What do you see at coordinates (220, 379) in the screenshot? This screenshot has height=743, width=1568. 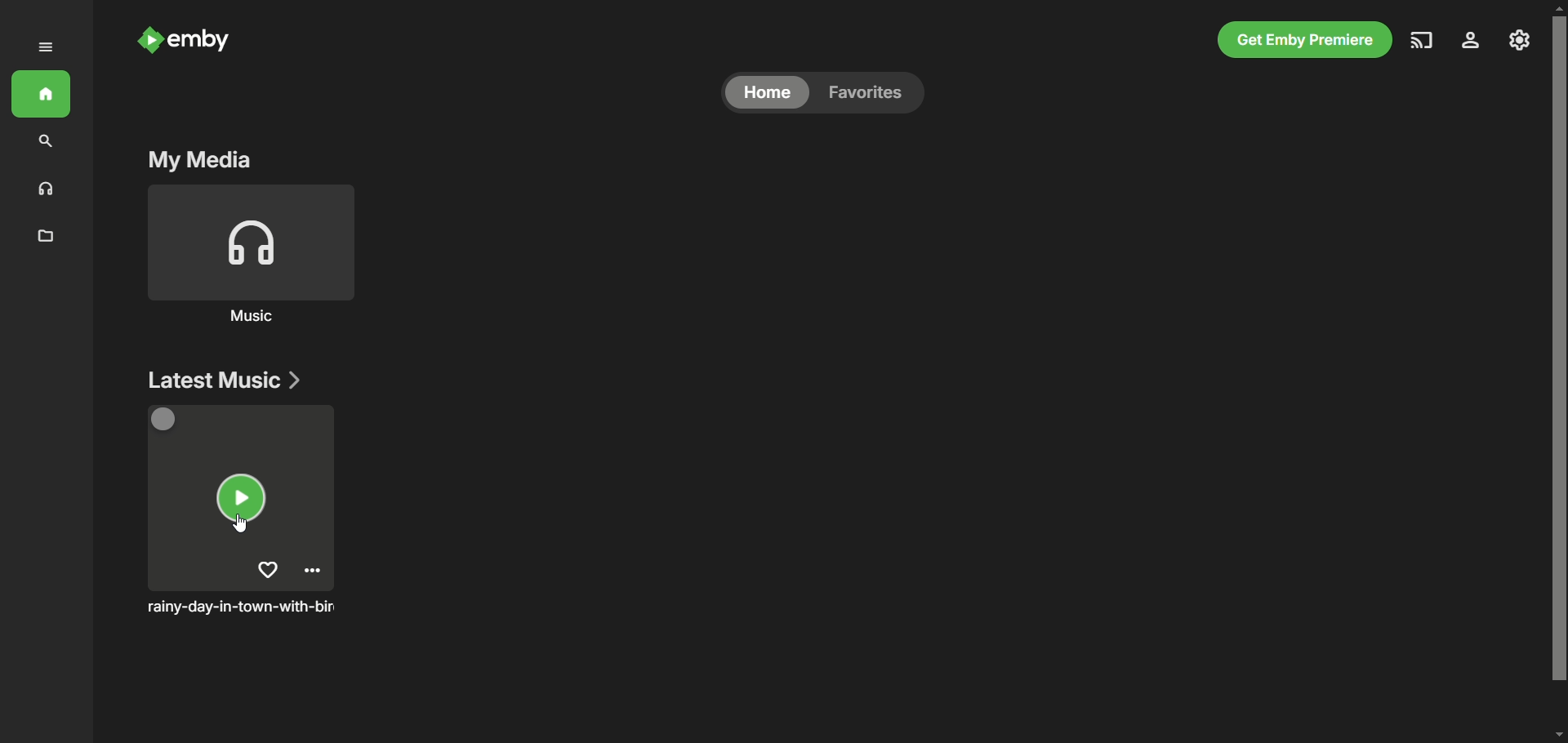 I see `latest music` at bounding box center [220, 379].